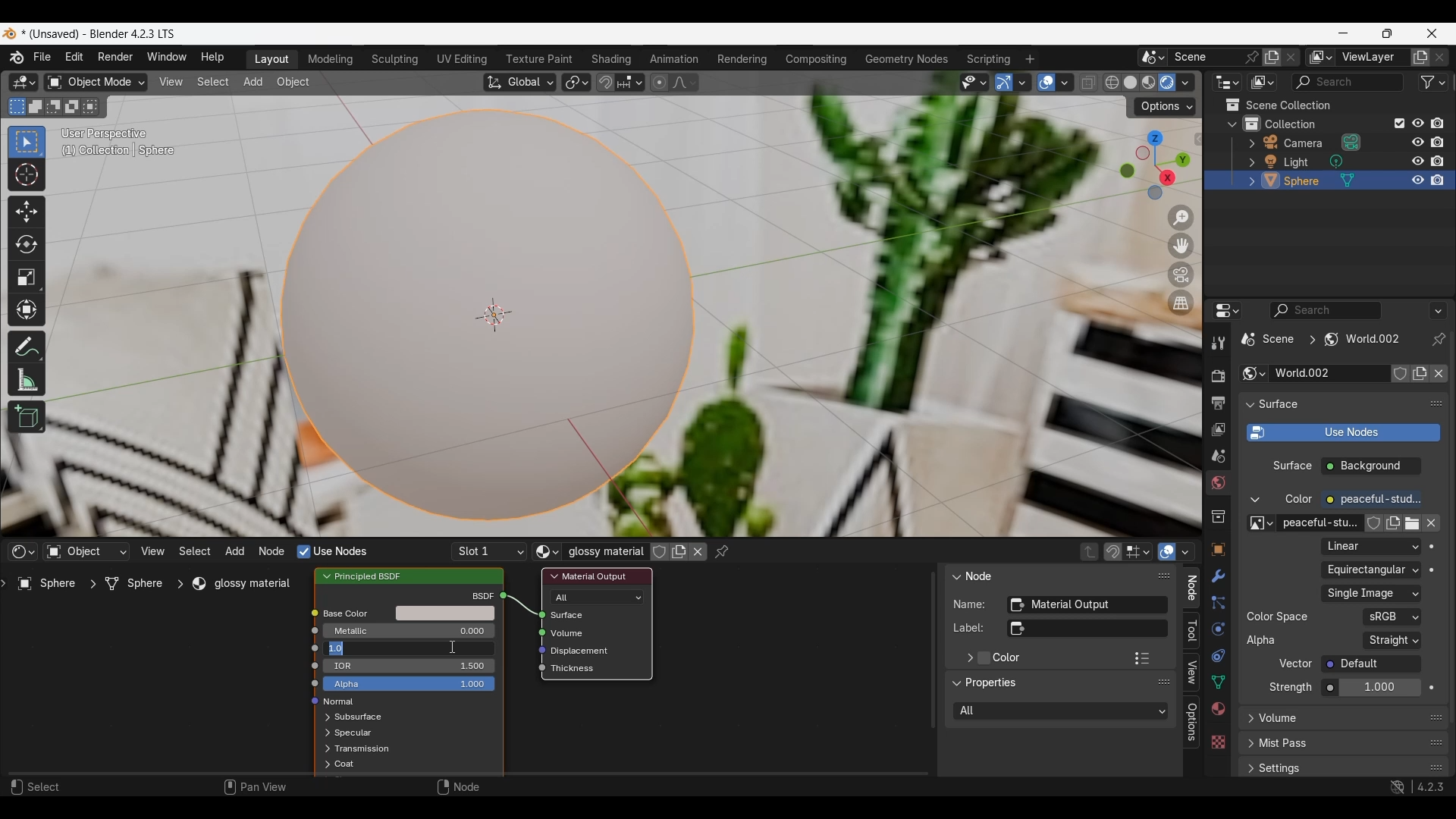 The width and height of the screenshot is (1456, 819). Describe the element at coordinates (356, 614) in the screenshot. I see `Base color` at that location.